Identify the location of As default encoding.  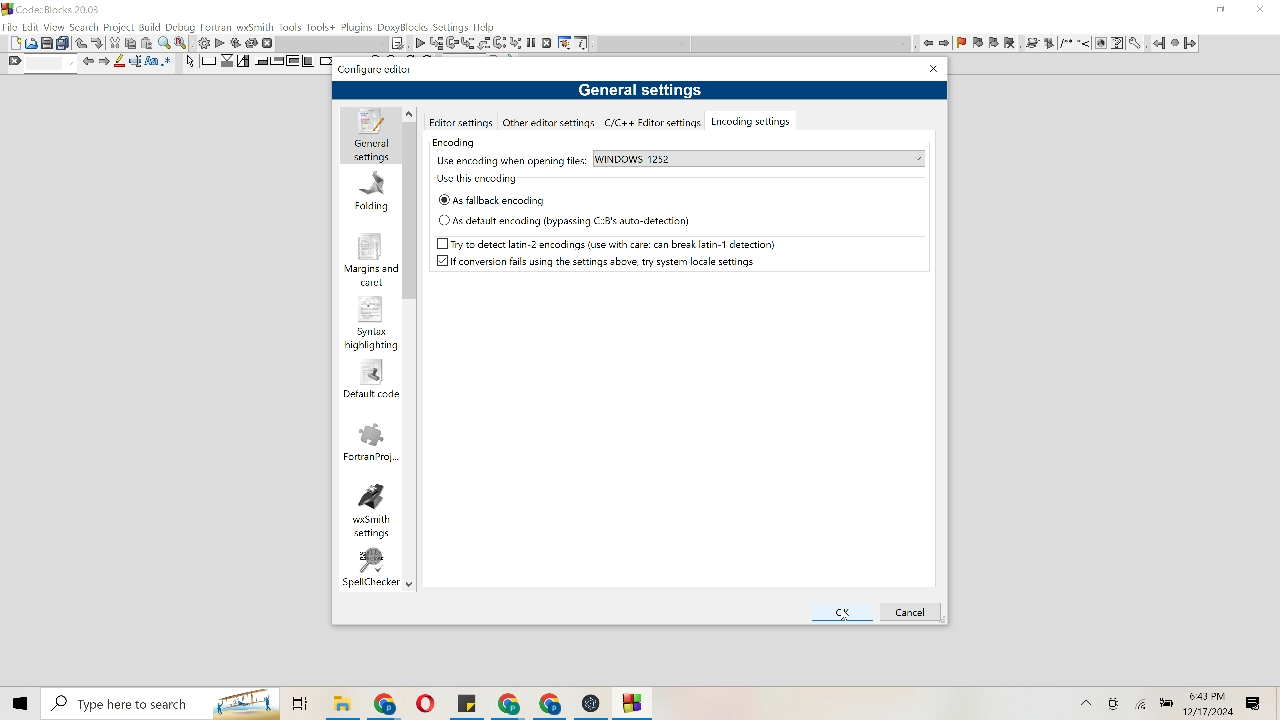
(564, 220).